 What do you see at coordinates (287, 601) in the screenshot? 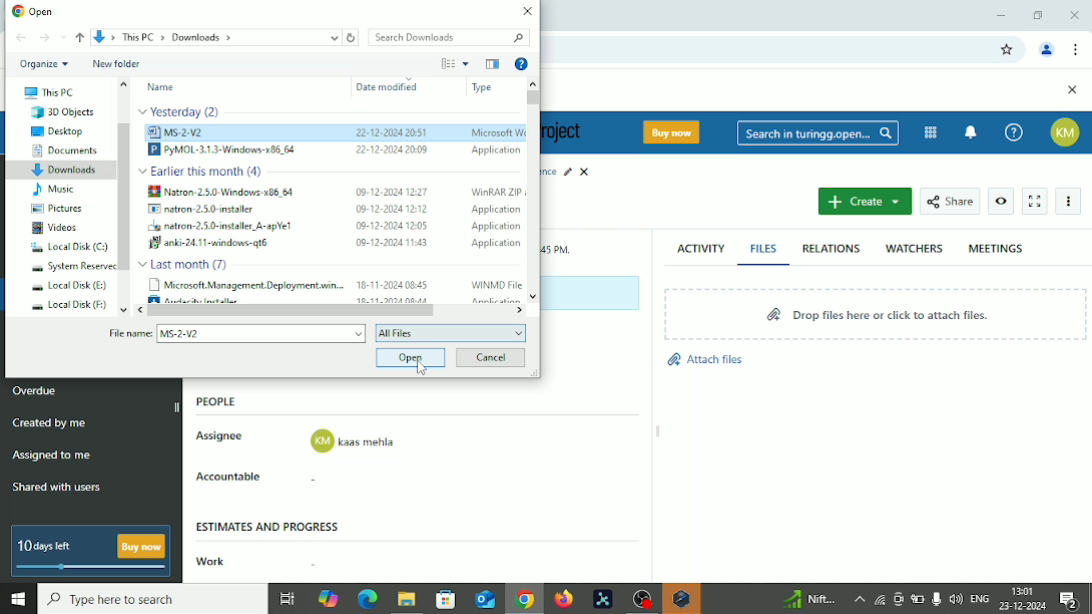
I see `Task view` at bounding box center [287, 601].